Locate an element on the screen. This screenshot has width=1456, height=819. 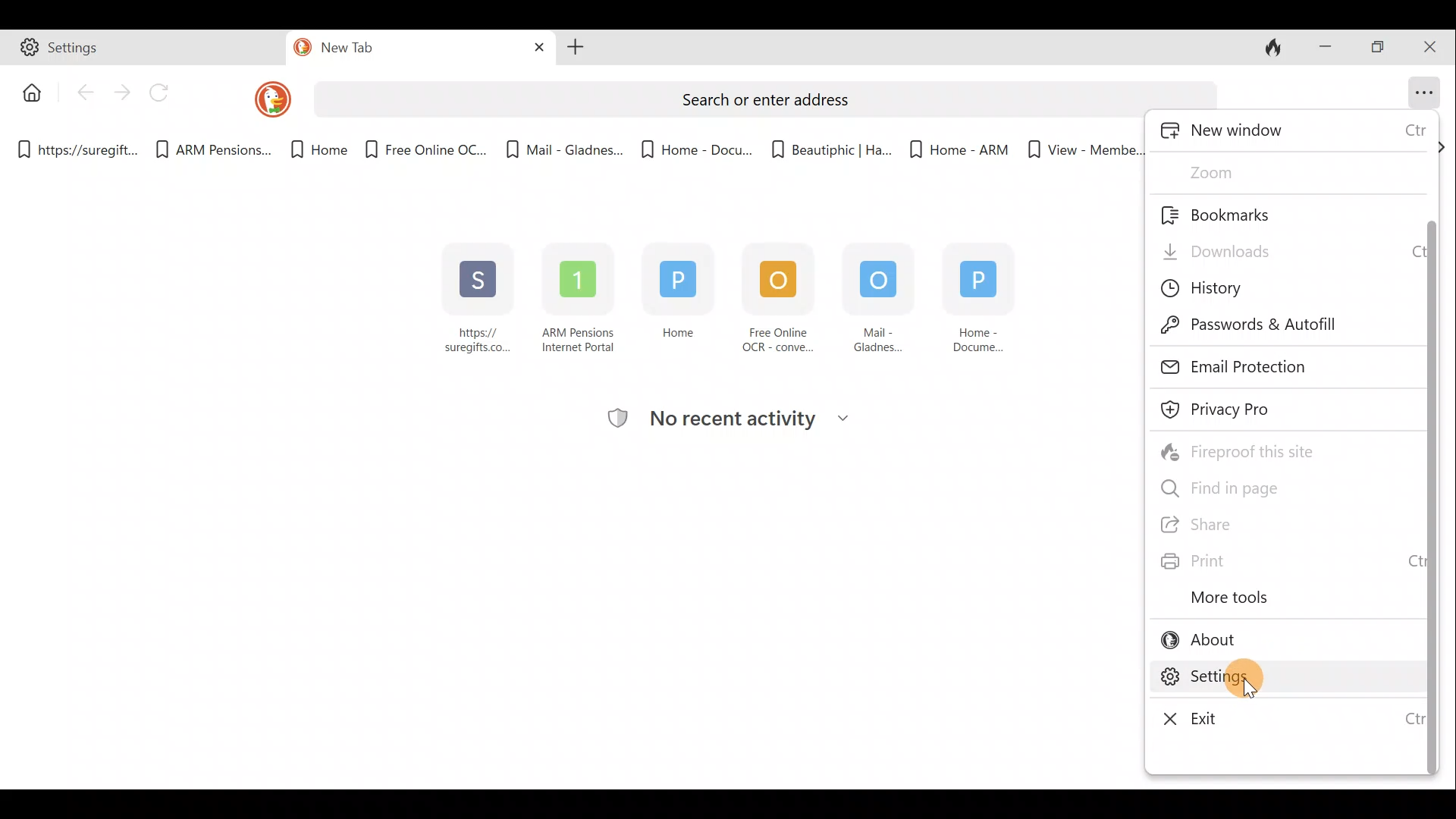
Bookmark 9 is located at coordinates (1084, 150).